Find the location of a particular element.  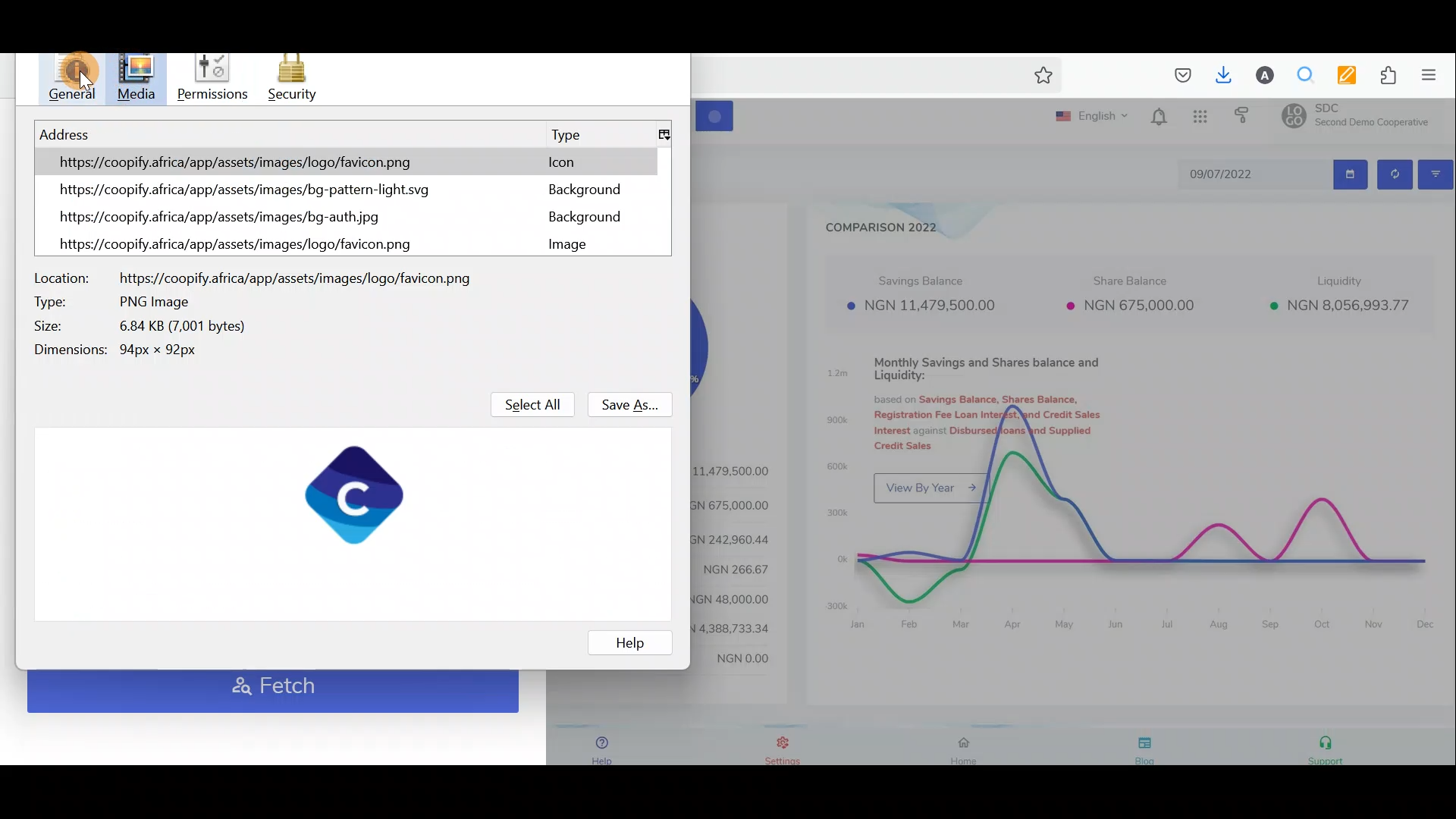

Background is located at coordinates (576, 218).